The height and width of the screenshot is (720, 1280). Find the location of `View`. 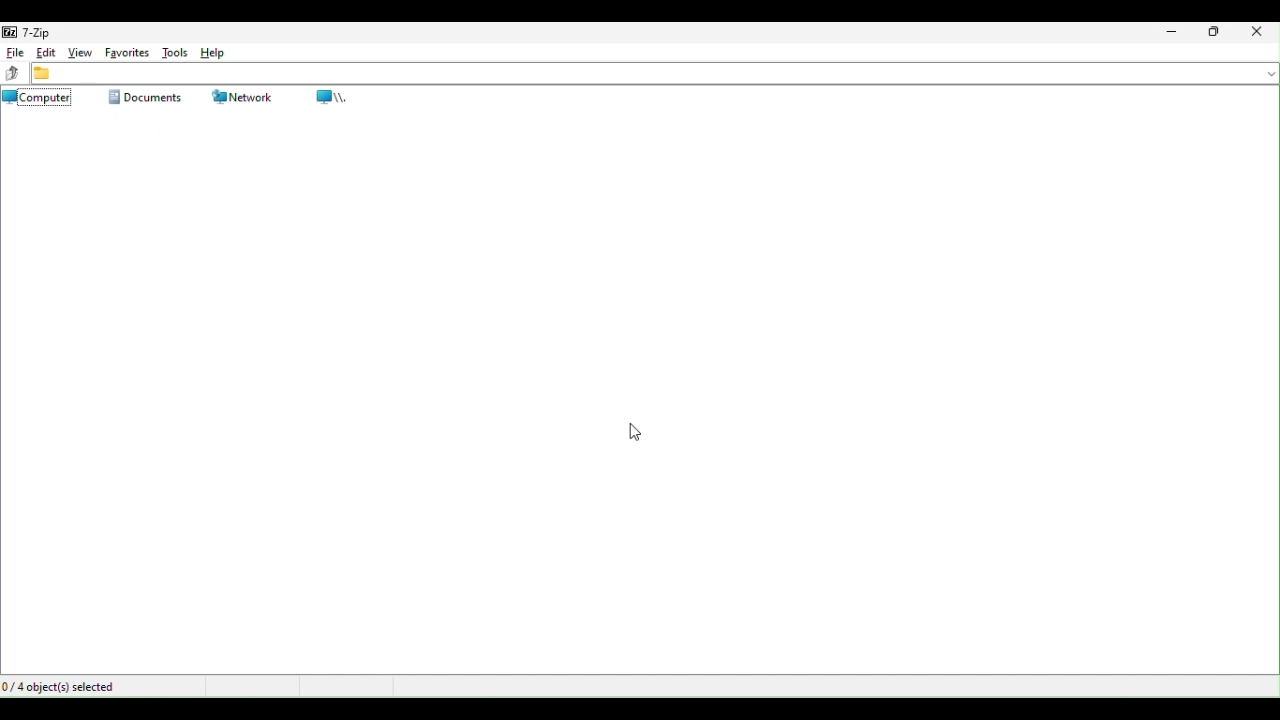

View is located at coordinates (83, 53).